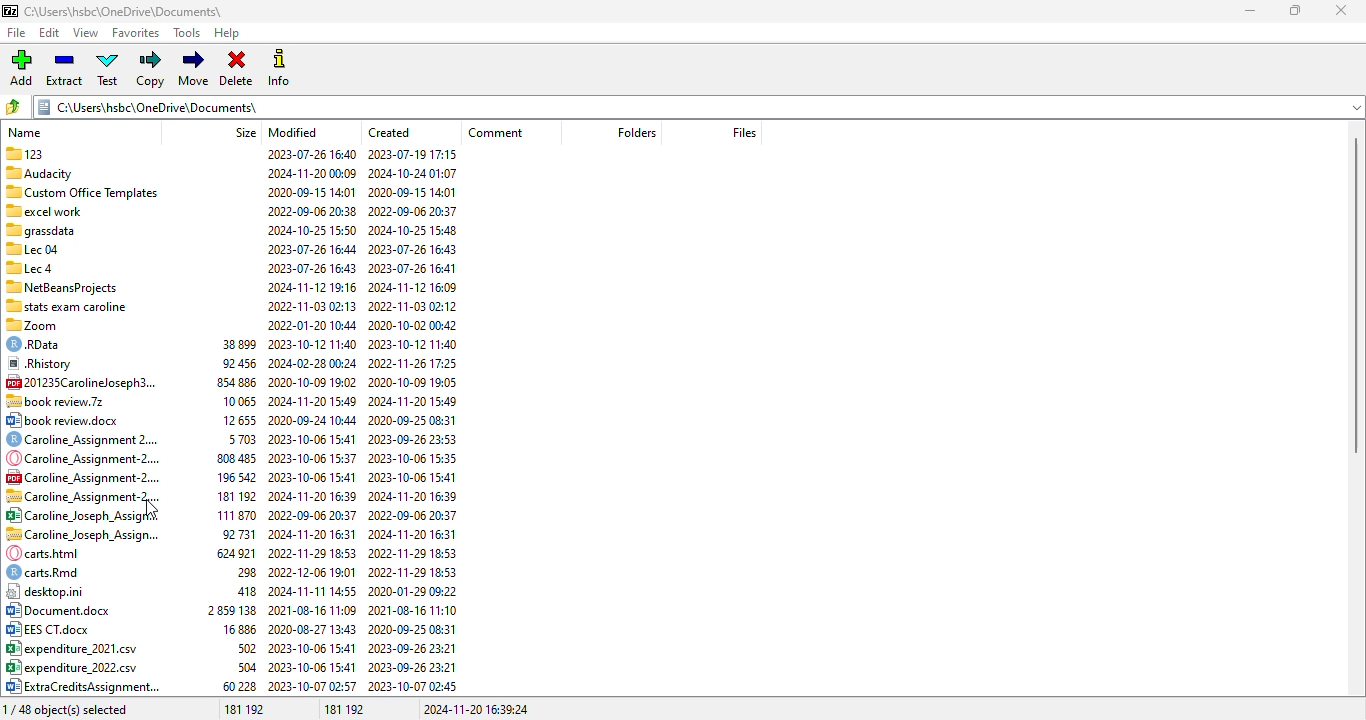 This screenshot has width=1366, height=720. What do you see at coordinates (293, 132) in the screenshot?
I see `modified` at bounding box center [293, 132].